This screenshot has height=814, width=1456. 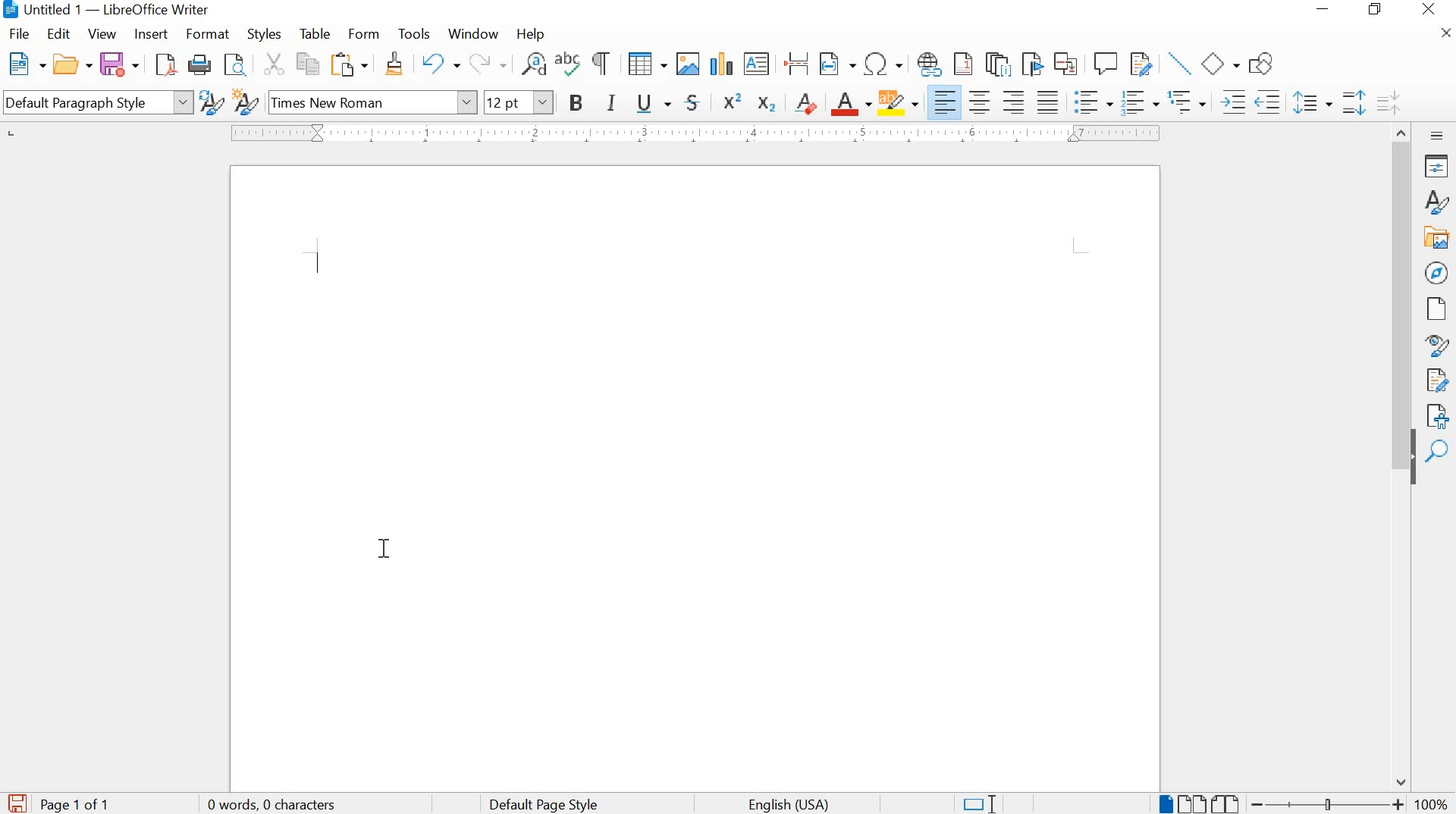 I want to click on INSERT CROSS-REFERENCE, so click(x=1069, y=63).